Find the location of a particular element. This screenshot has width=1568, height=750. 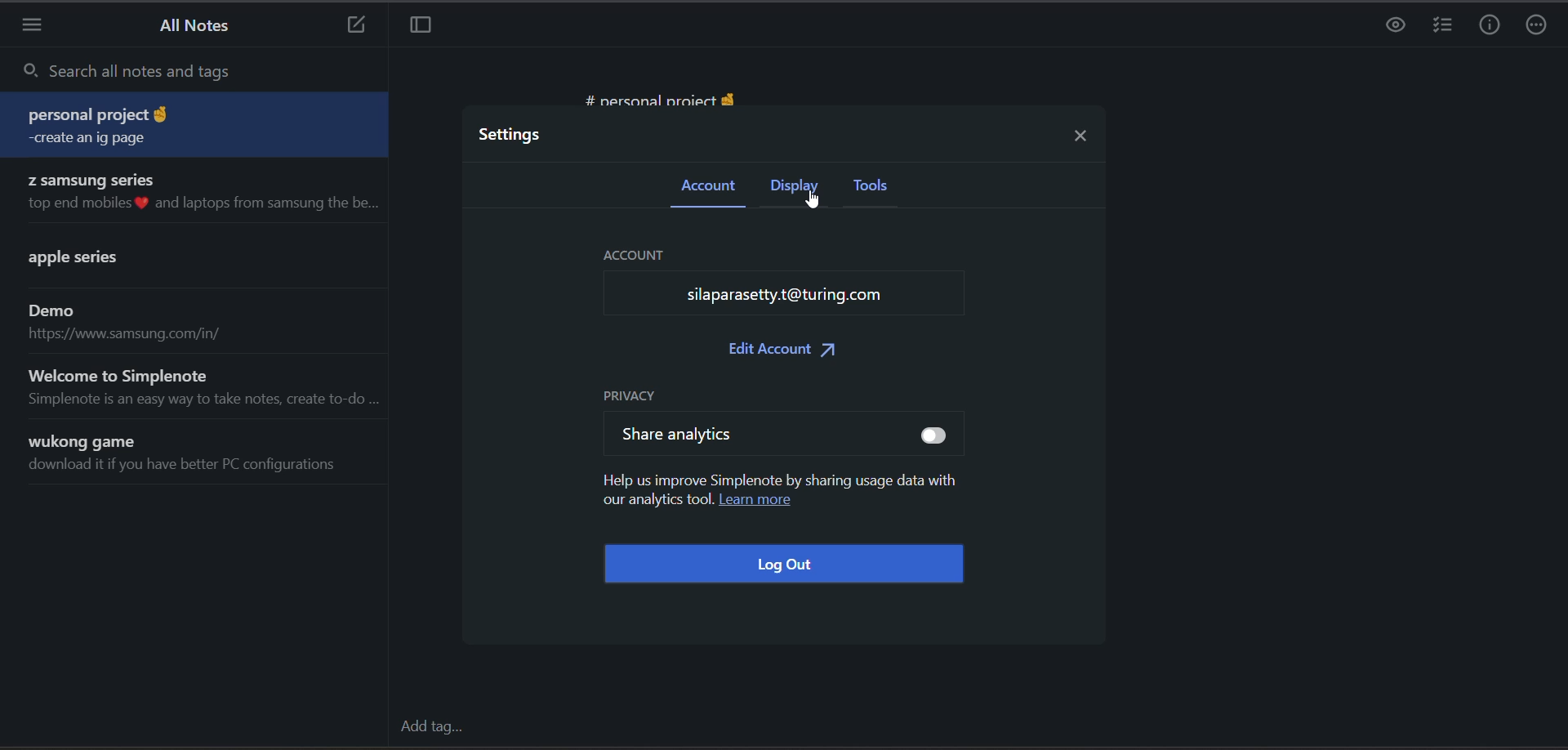

search all notes and tags is located at coordinates (202, 74).